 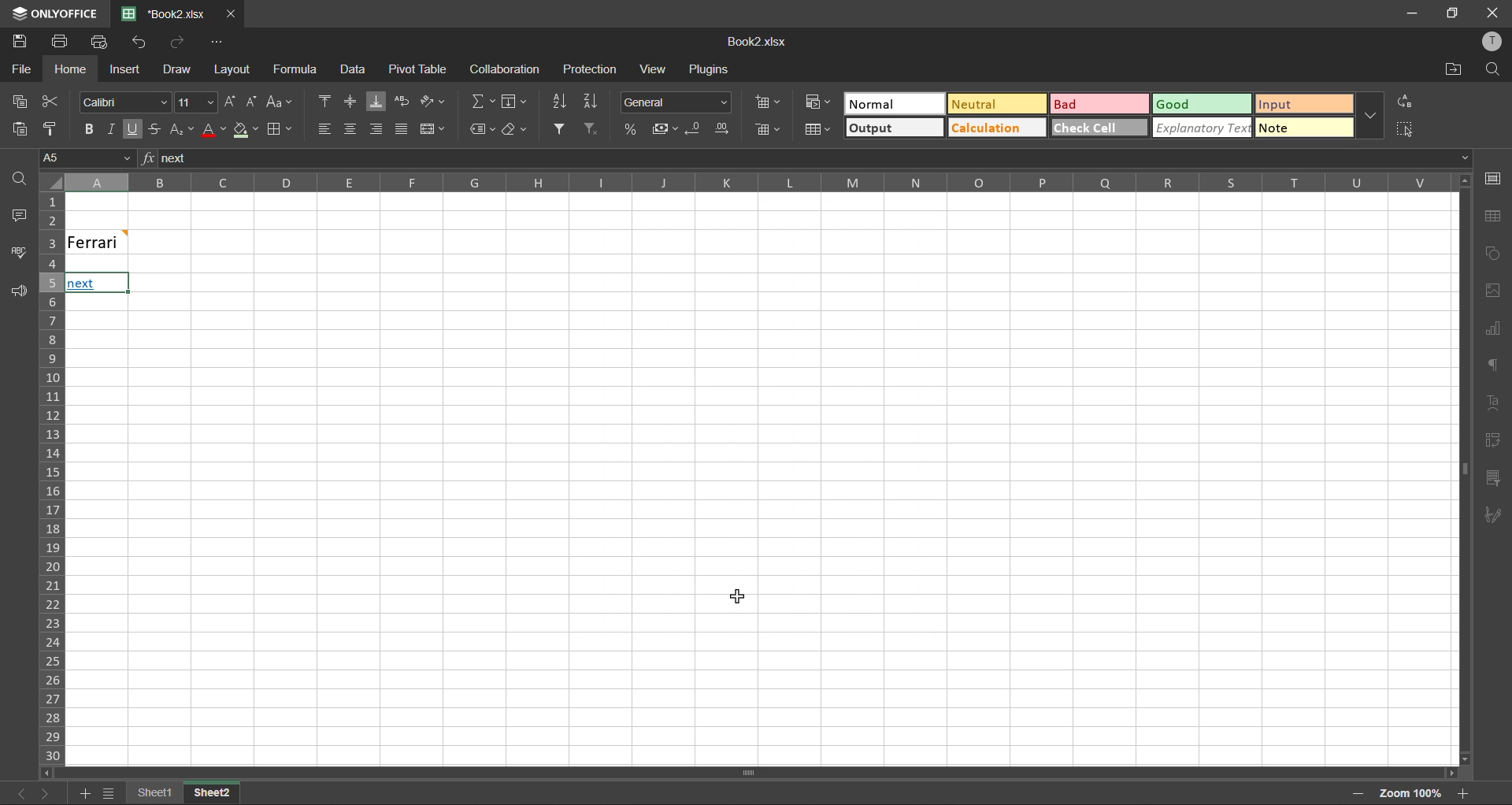 I want to click on close tab, so click(x=233, y=13).